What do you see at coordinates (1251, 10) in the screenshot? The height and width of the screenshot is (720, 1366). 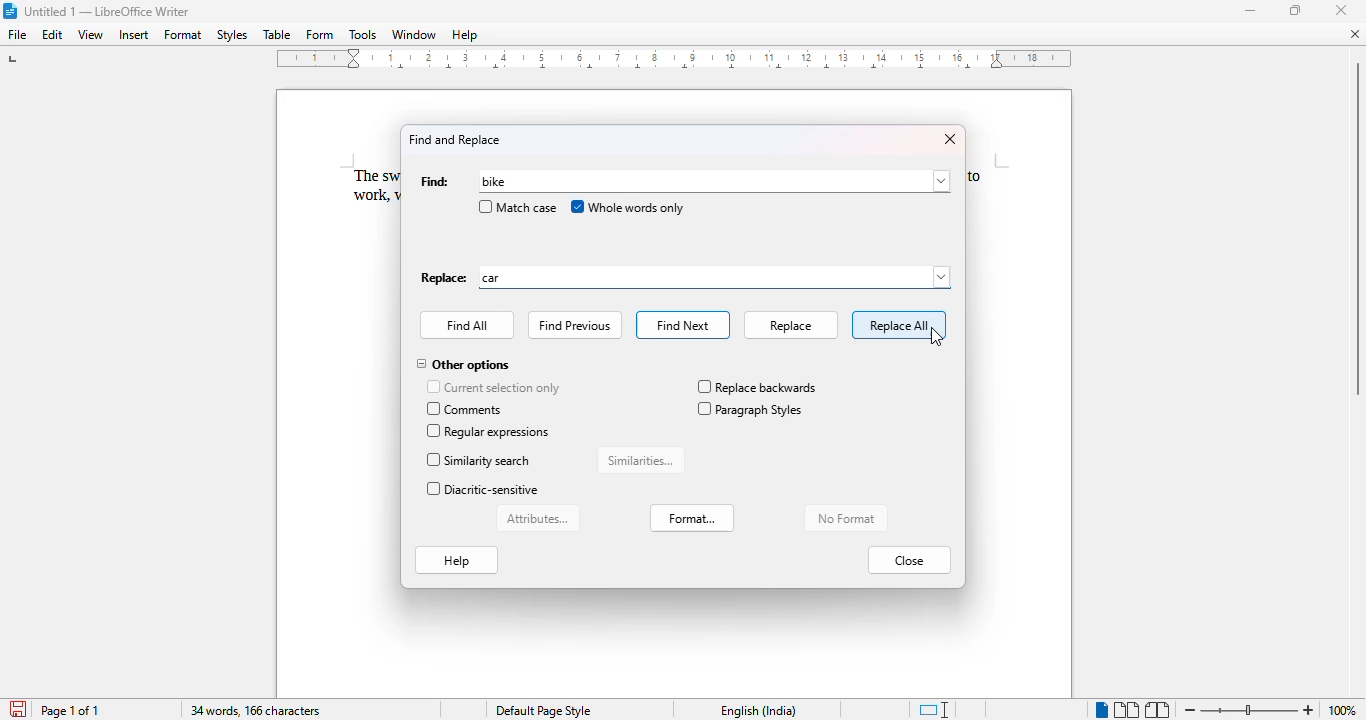 I see `minimize` at bounding box center [1251, 10].